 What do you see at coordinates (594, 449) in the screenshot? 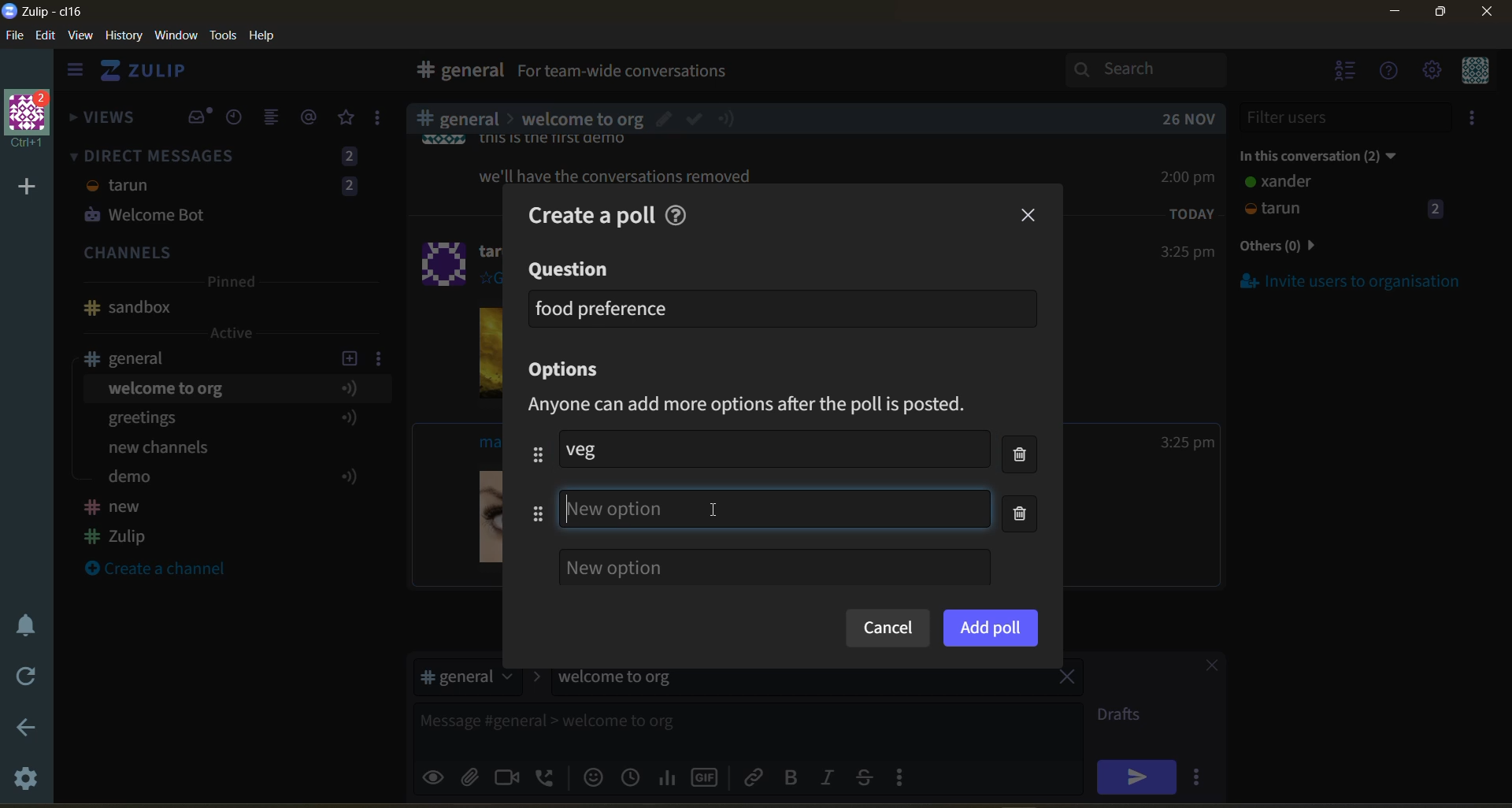
I see `option a (veg)` at bounding box center [594, 449].